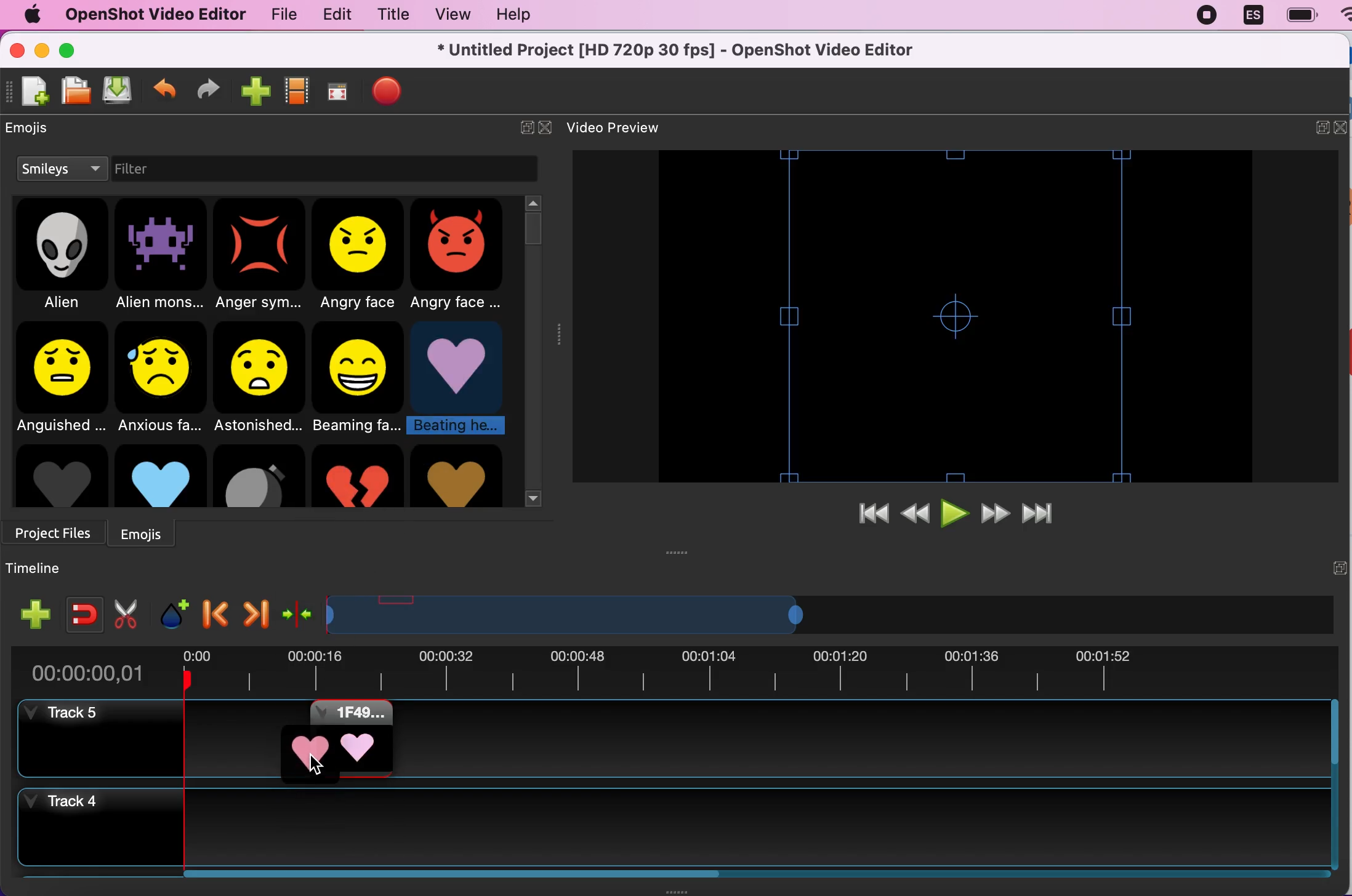 The image size is (1352, 896). Describe the element at coordinates (1322, 126) in the screenshot. I see `expand/hide` at that location.